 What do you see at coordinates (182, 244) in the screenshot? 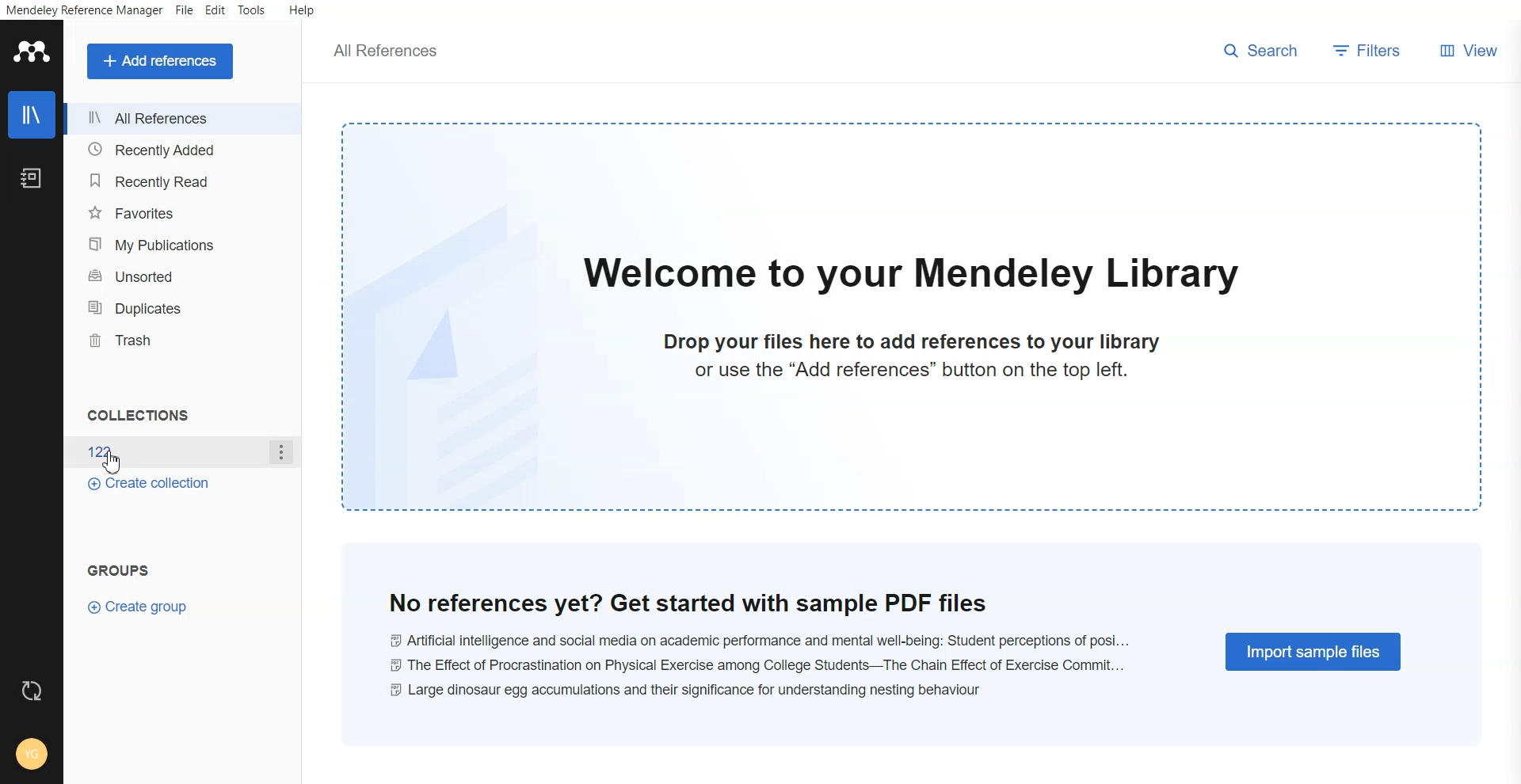
I see `My publications` at bounding box center [182, 244].